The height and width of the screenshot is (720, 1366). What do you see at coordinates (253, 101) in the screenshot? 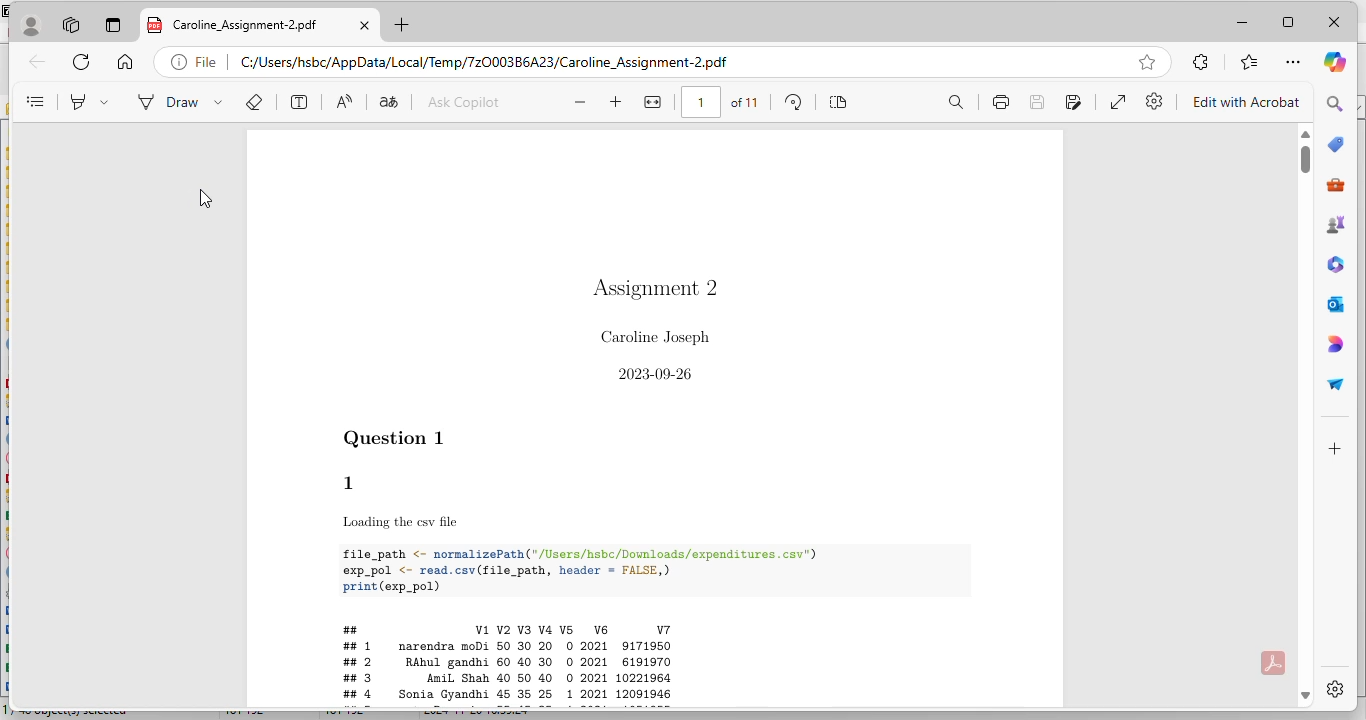
I see `erase` at bounding box center [253, 101].